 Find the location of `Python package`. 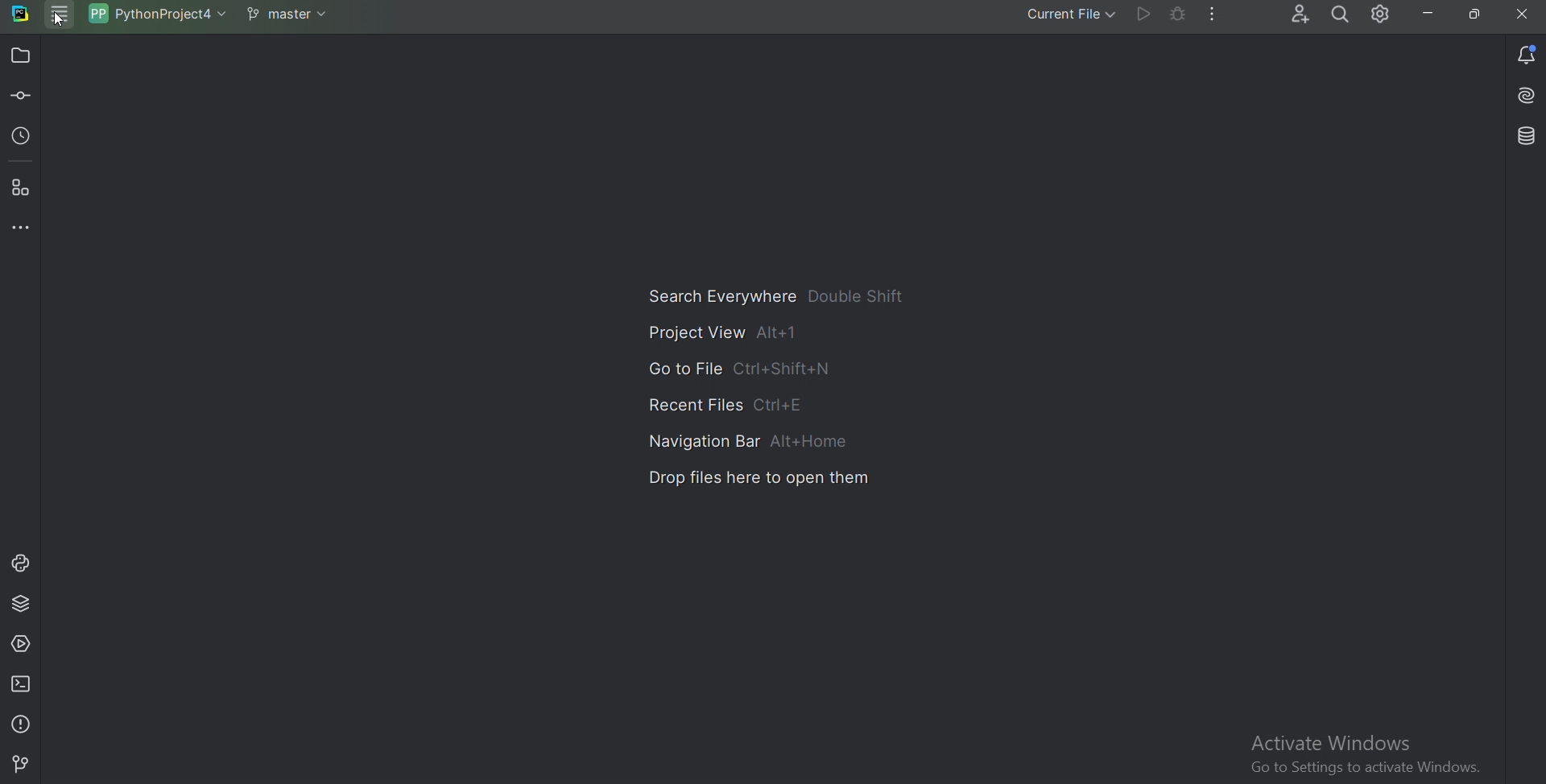

Python package is located at coordinates (23, 603).